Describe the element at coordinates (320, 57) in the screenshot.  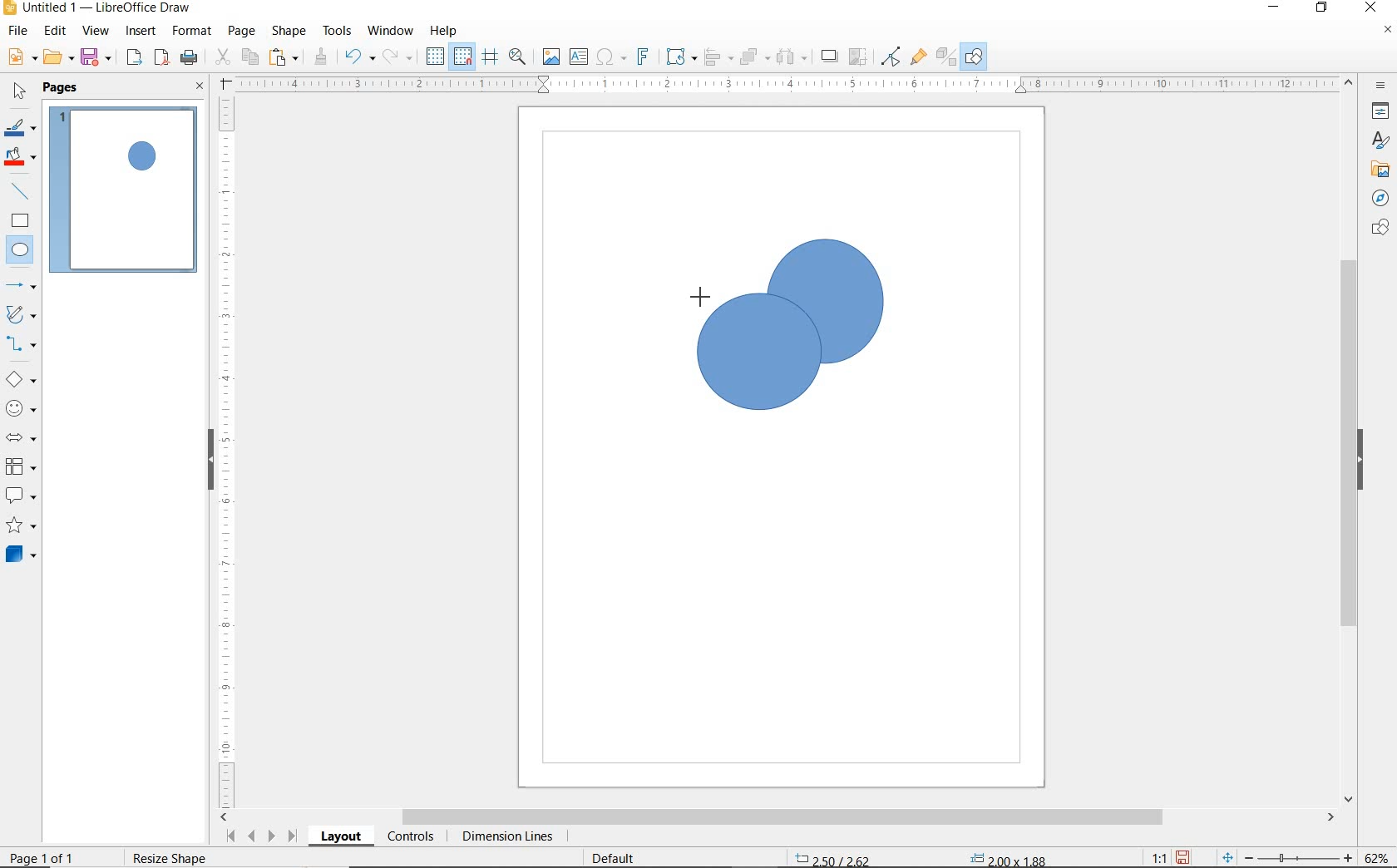
I see `CLONE FORMATTING` at that location.